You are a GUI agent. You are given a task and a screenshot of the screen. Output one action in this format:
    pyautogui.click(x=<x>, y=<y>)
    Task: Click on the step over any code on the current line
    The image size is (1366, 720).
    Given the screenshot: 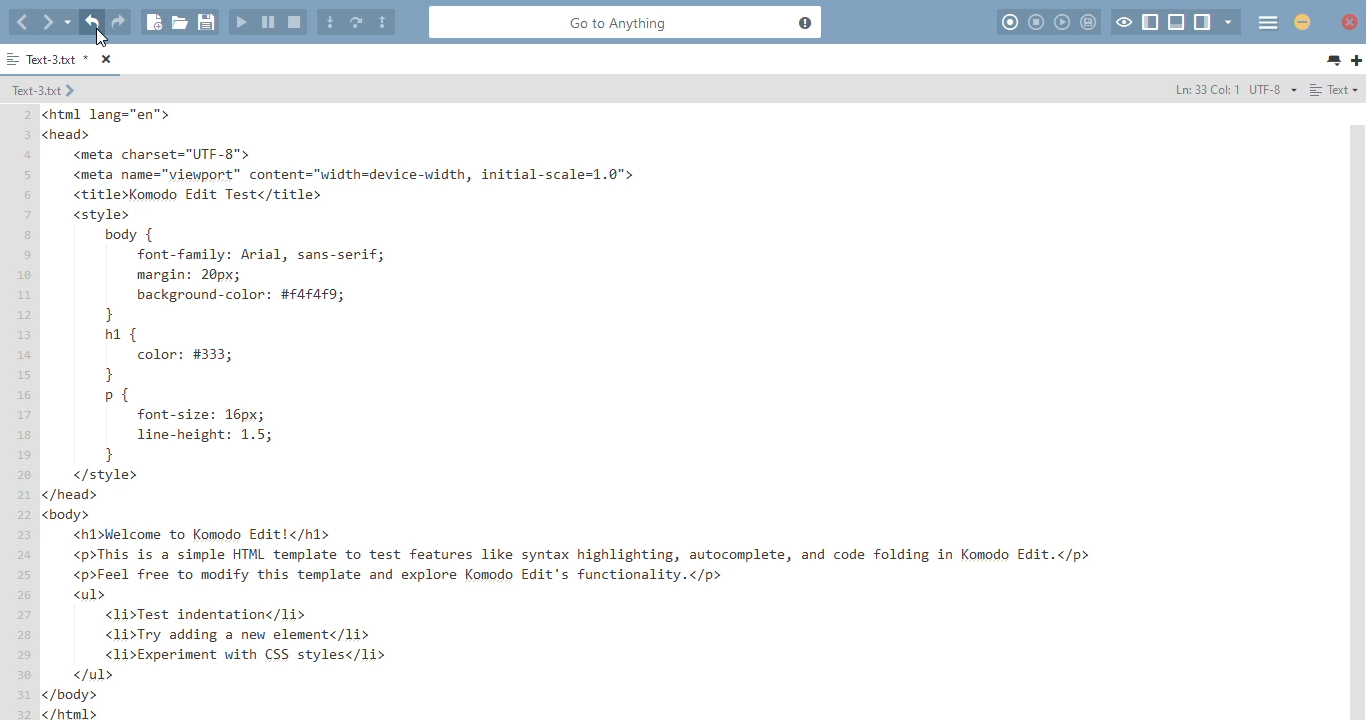 What is the action you would take?
    pyautogui.click(x=357, y=21)
    